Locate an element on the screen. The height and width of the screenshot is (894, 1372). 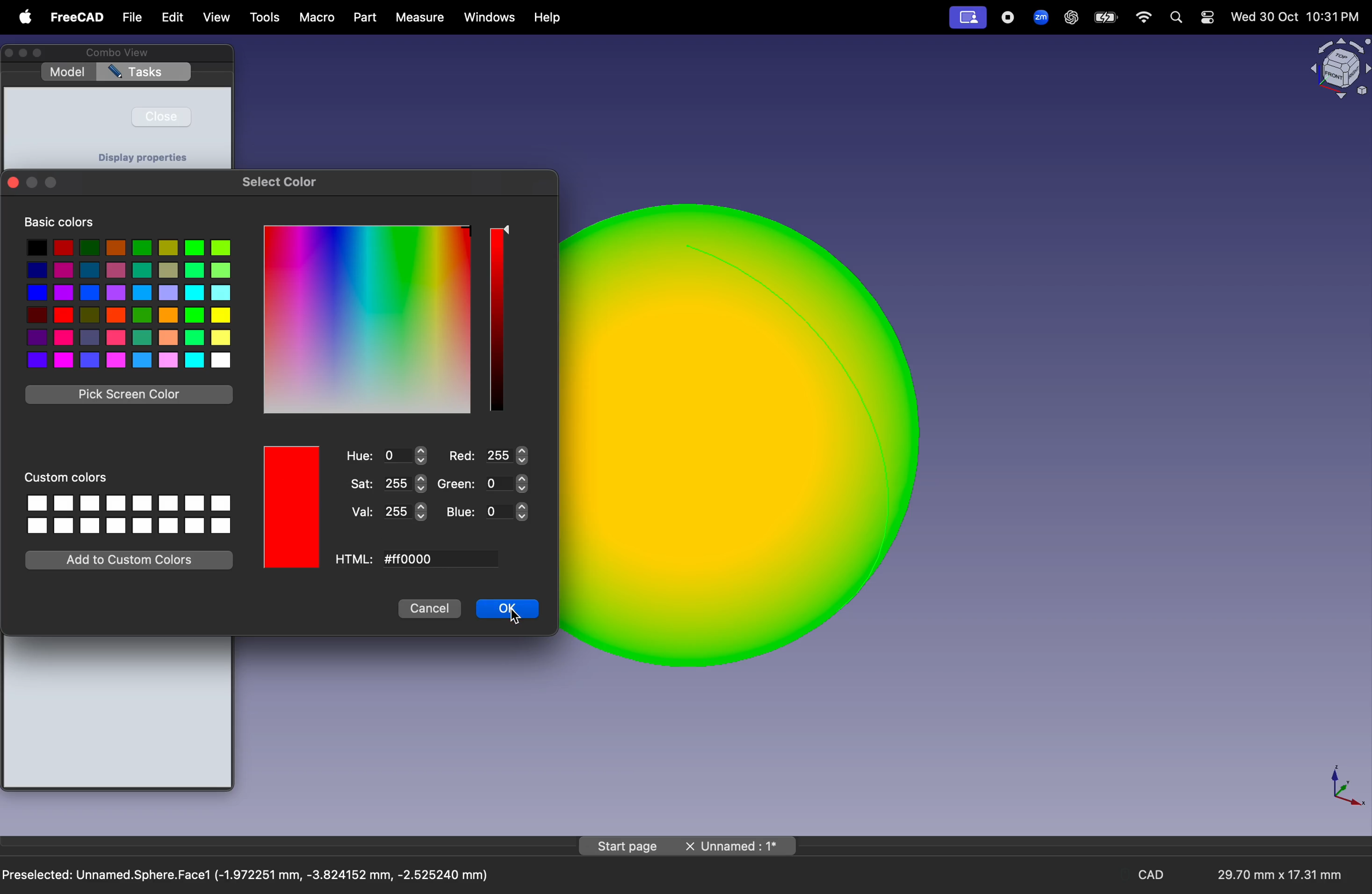
red color is located at coordinates (293, 507).